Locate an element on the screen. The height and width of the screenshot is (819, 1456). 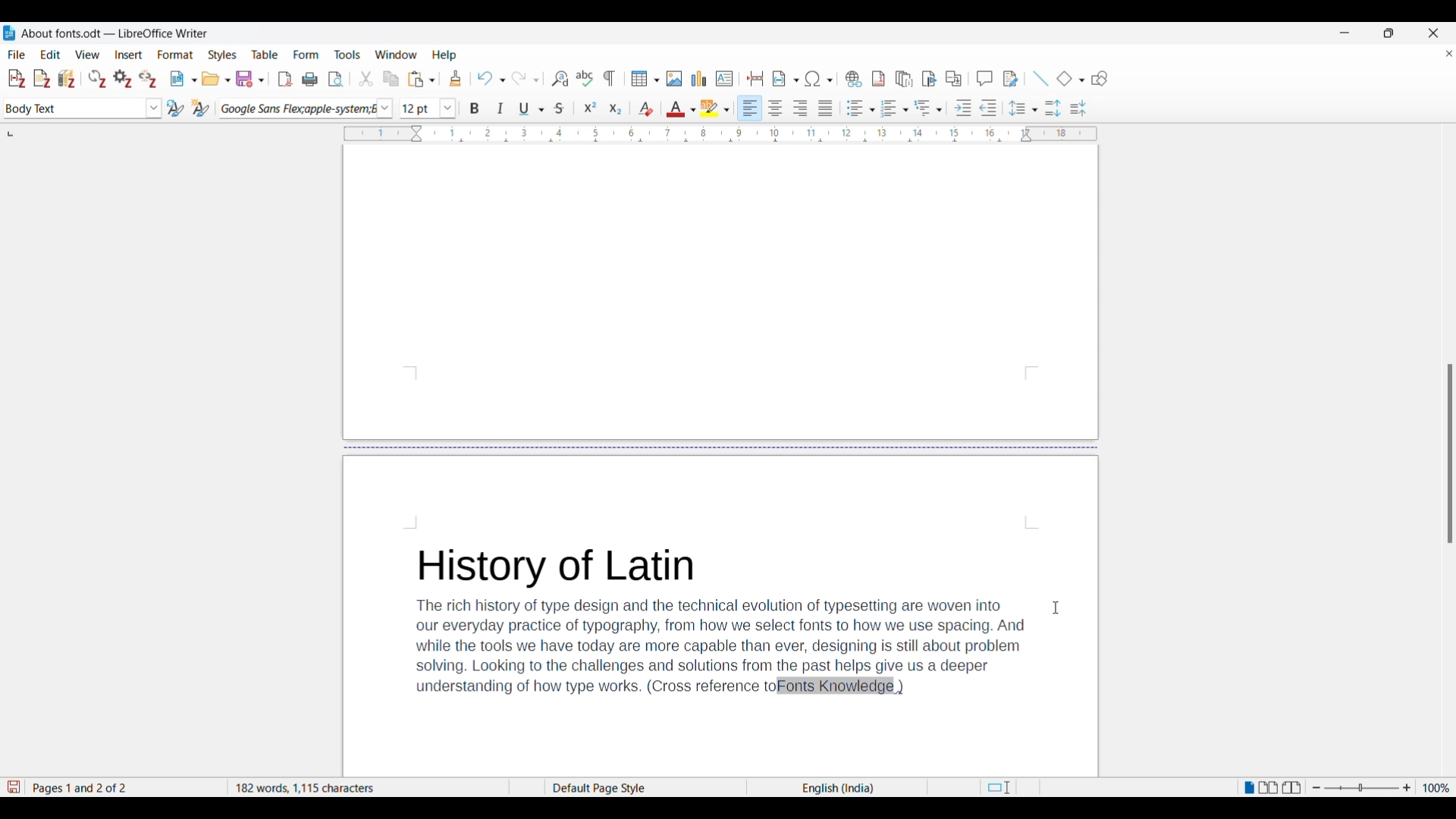
File menu is located at coordinates (17, 55).